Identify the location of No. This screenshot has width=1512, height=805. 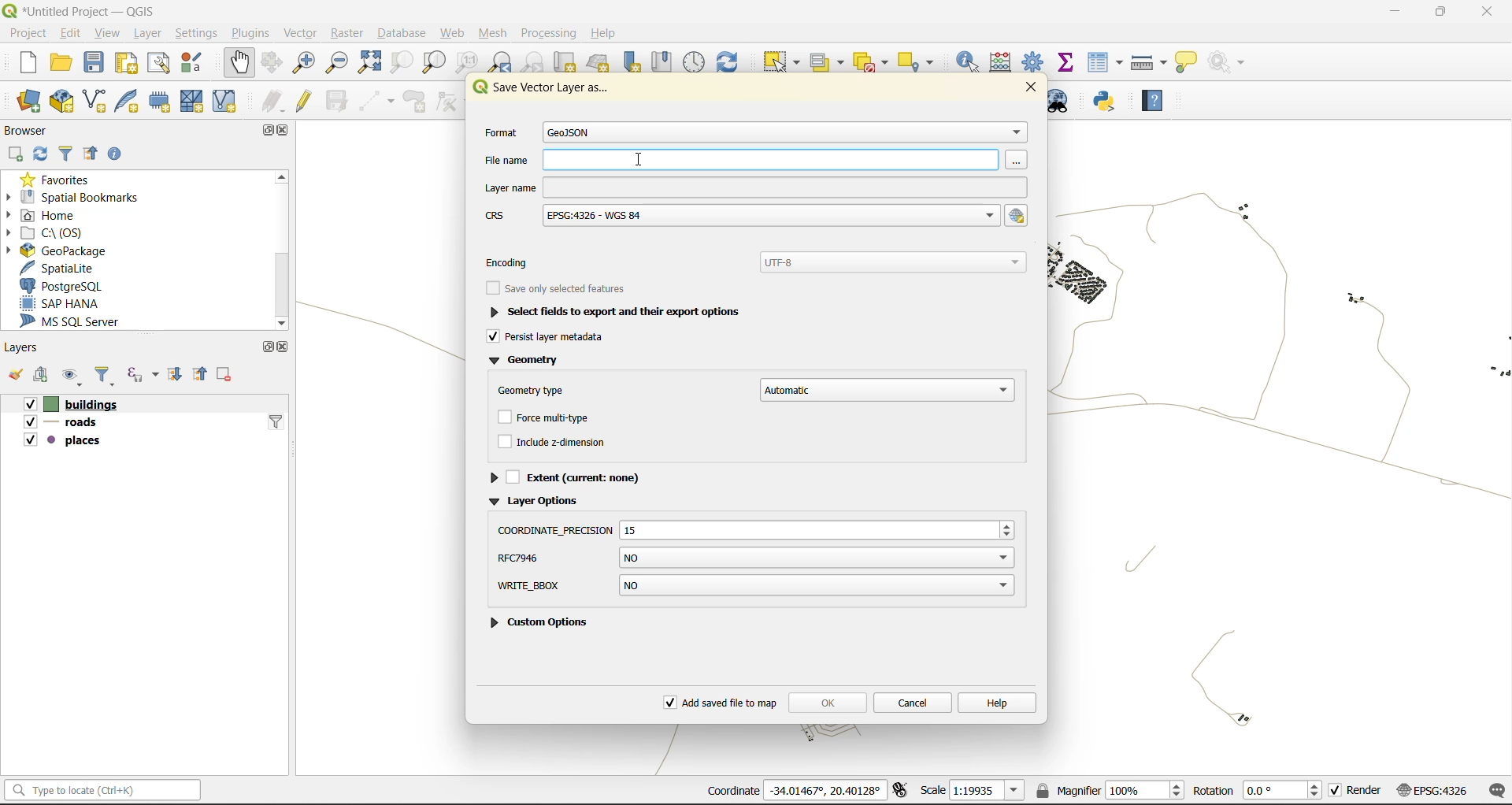
(816, 587).